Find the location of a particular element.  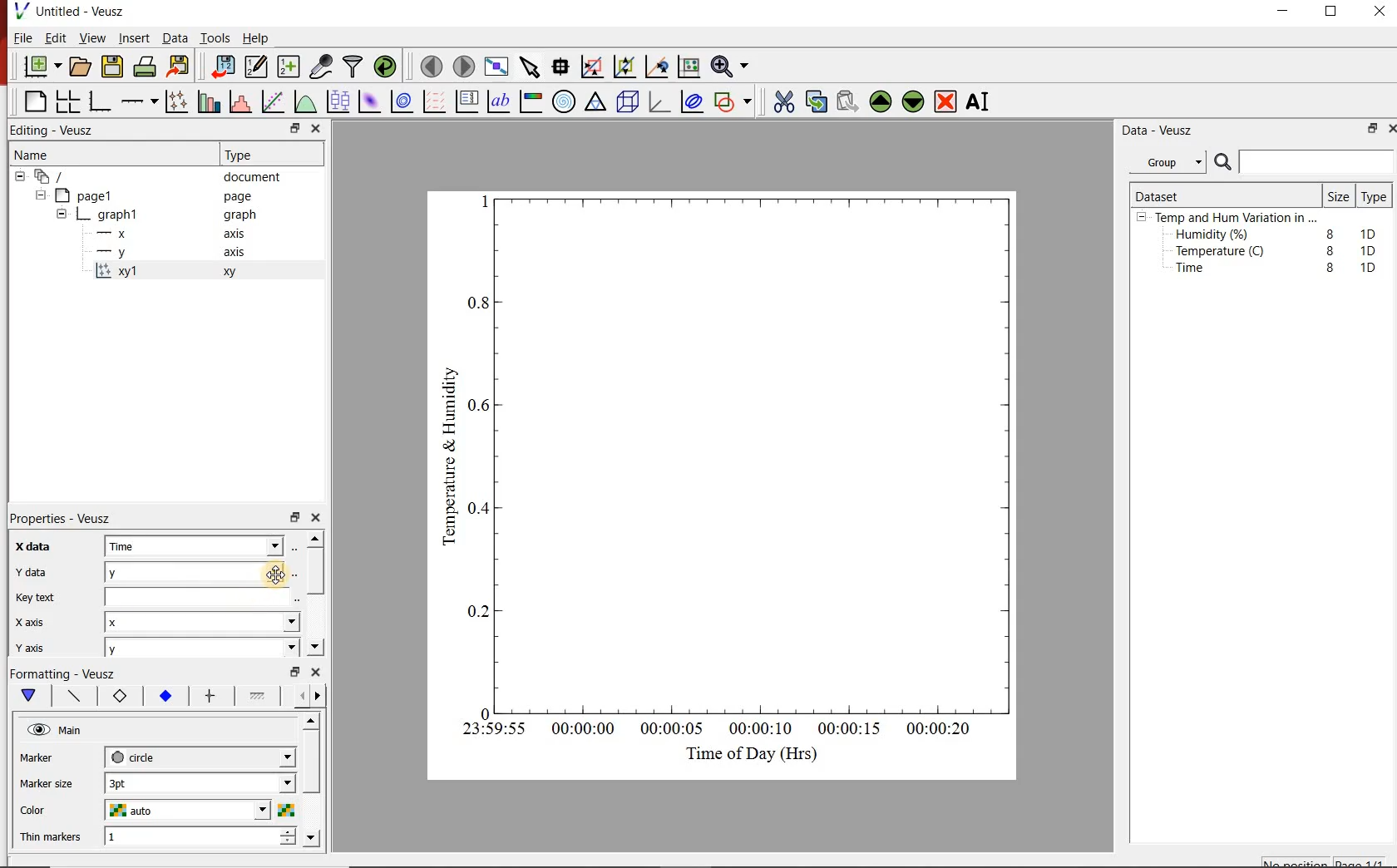

close is located at coordinates (318, 673).